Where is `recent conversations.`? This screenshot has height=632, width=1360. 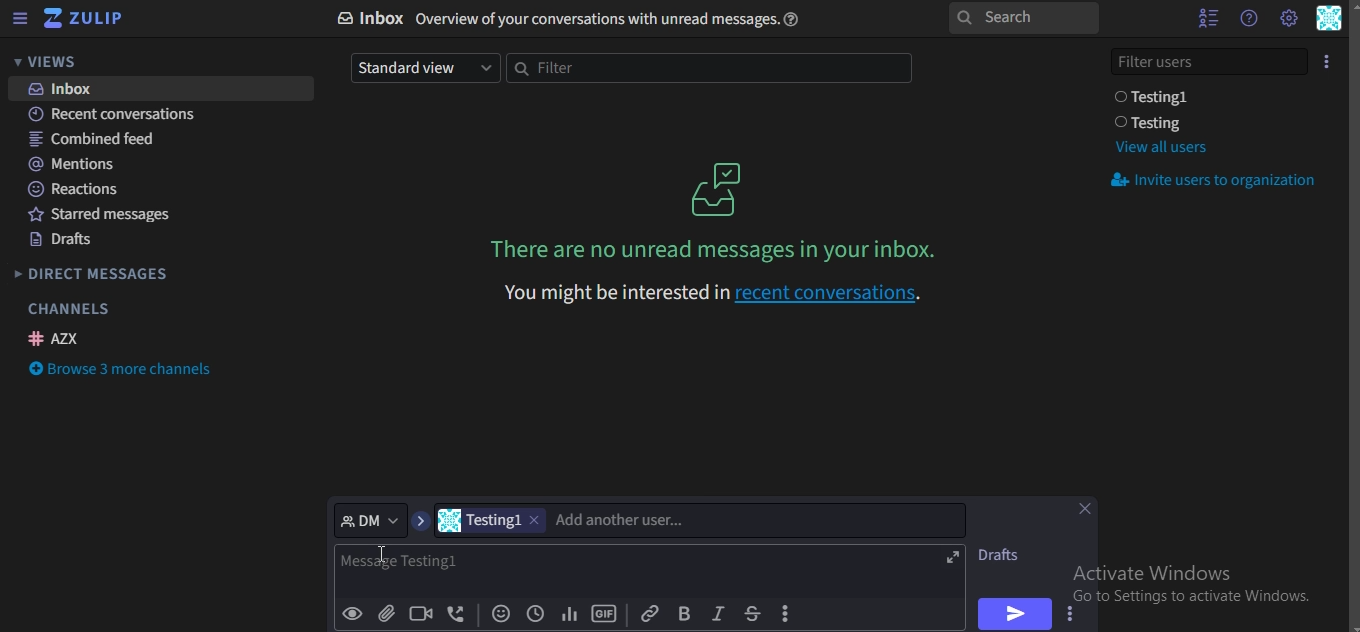 recent conversations. is located at coordinates (710, 293).